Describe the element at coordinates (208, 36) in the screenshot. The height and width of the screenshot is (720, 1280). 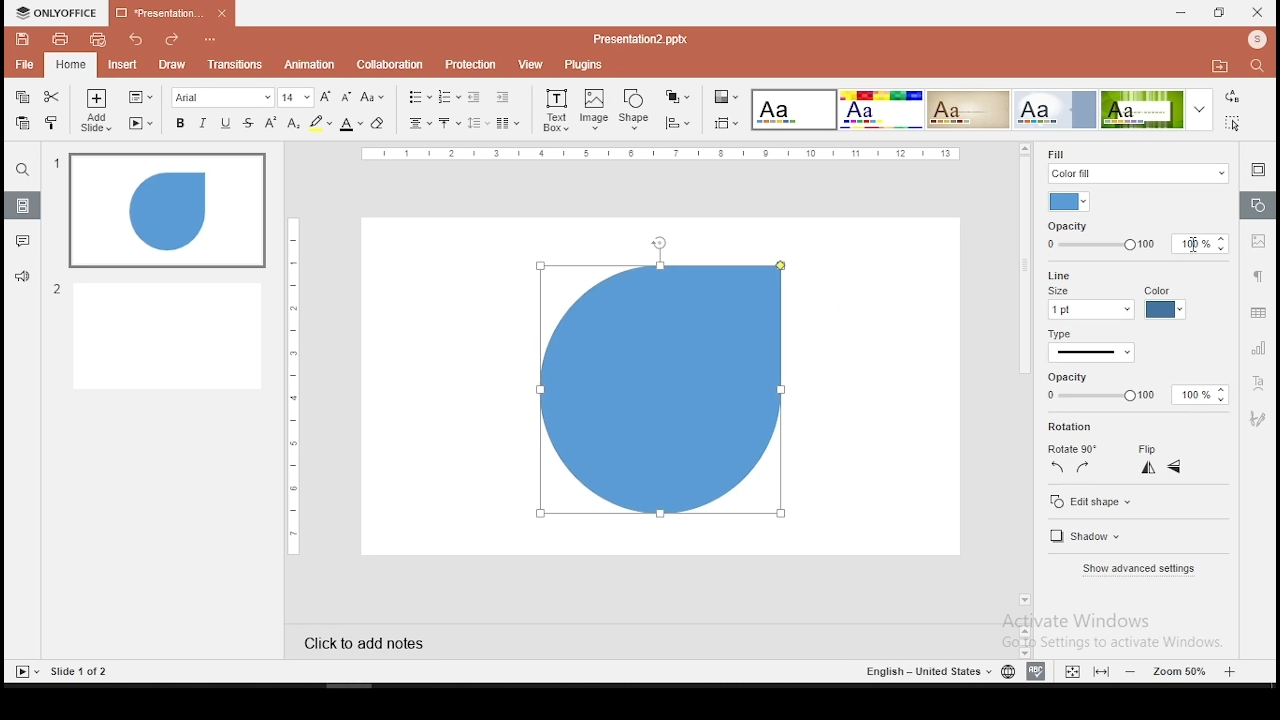
I see `customize quick action toolbar` at that location.